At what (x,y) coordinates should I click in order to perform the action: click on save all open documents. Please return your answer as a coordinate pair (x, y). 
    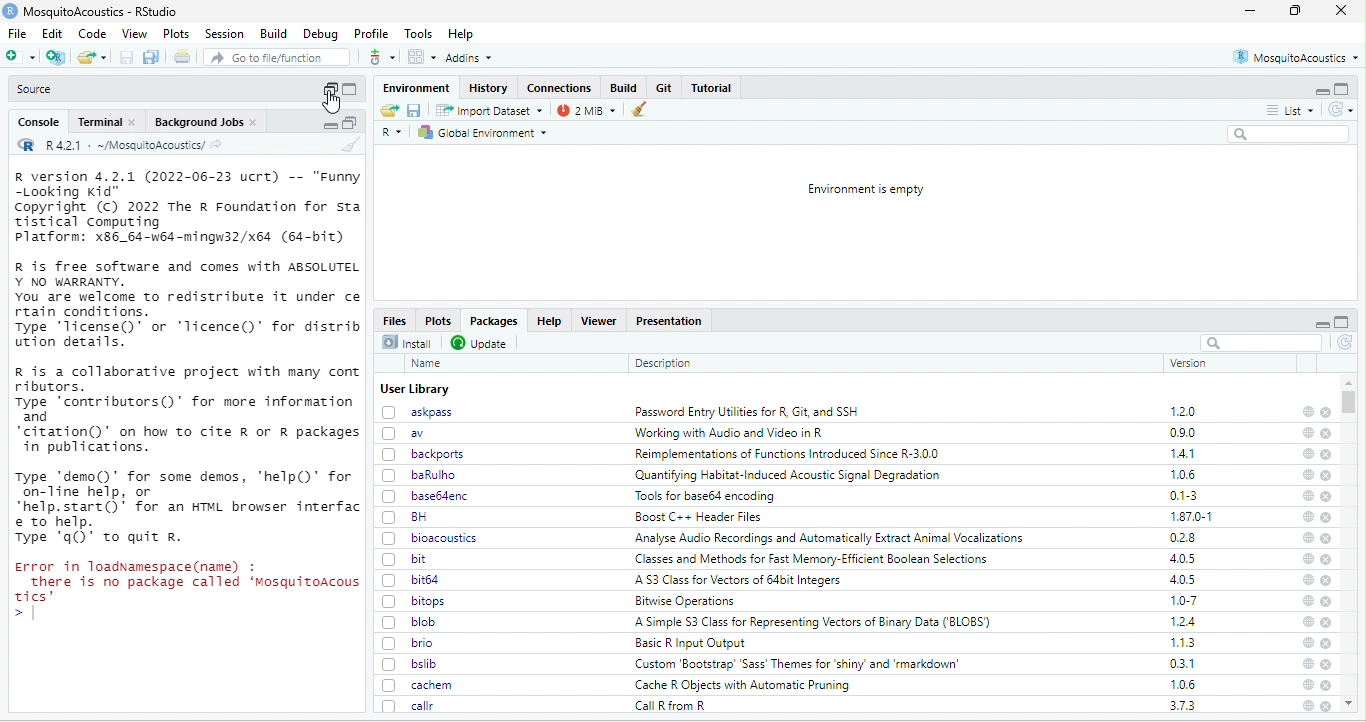
    Looking at the image, I should click on (152, 57).